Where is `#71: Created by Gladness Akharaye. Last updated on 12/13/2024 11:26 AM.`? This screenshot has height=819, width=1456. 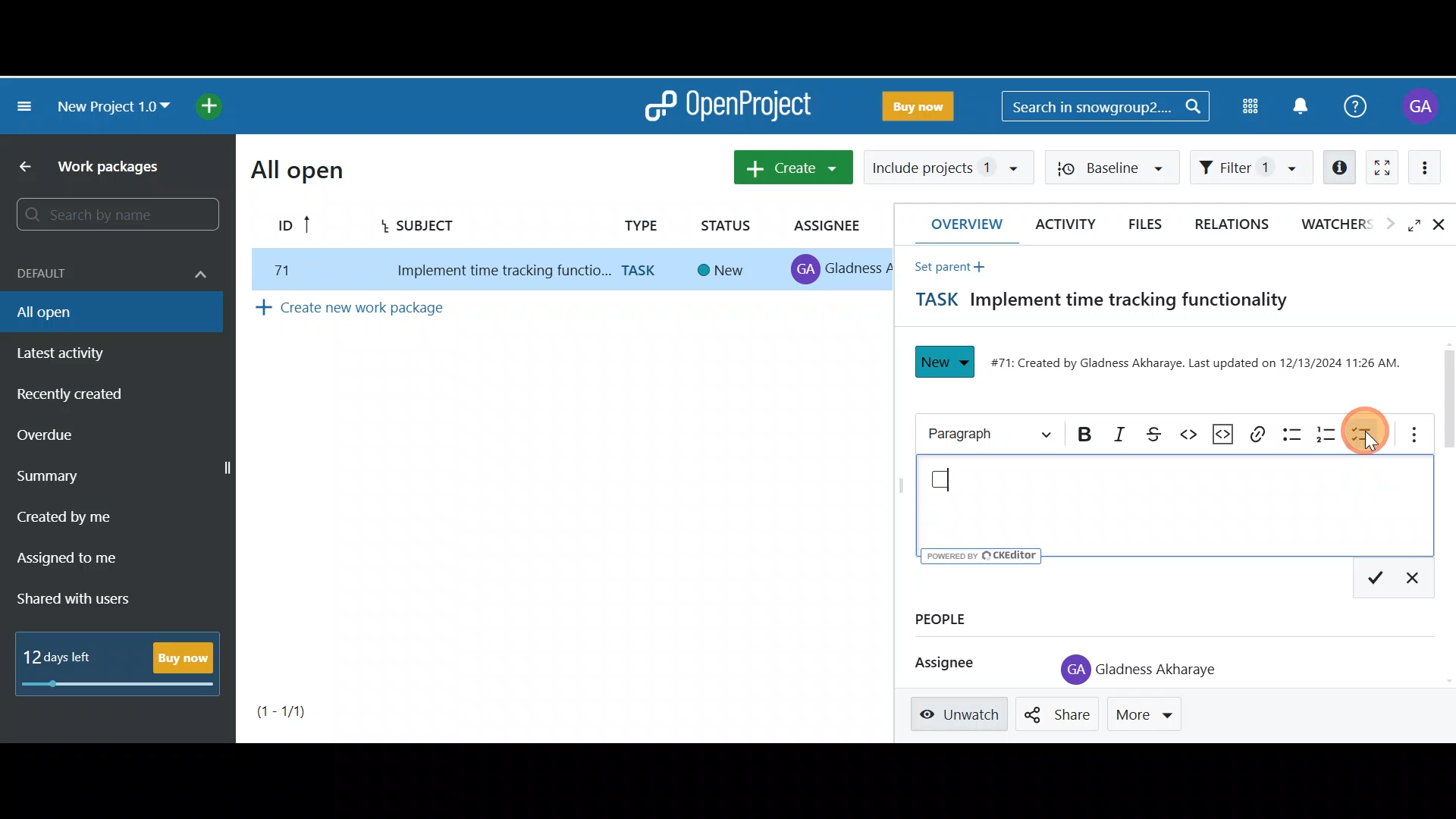 #71: Created by Gladness Akharaye. Last updated on 12/13/2024 11:26 AM. is located at coordinates (1198, 367).